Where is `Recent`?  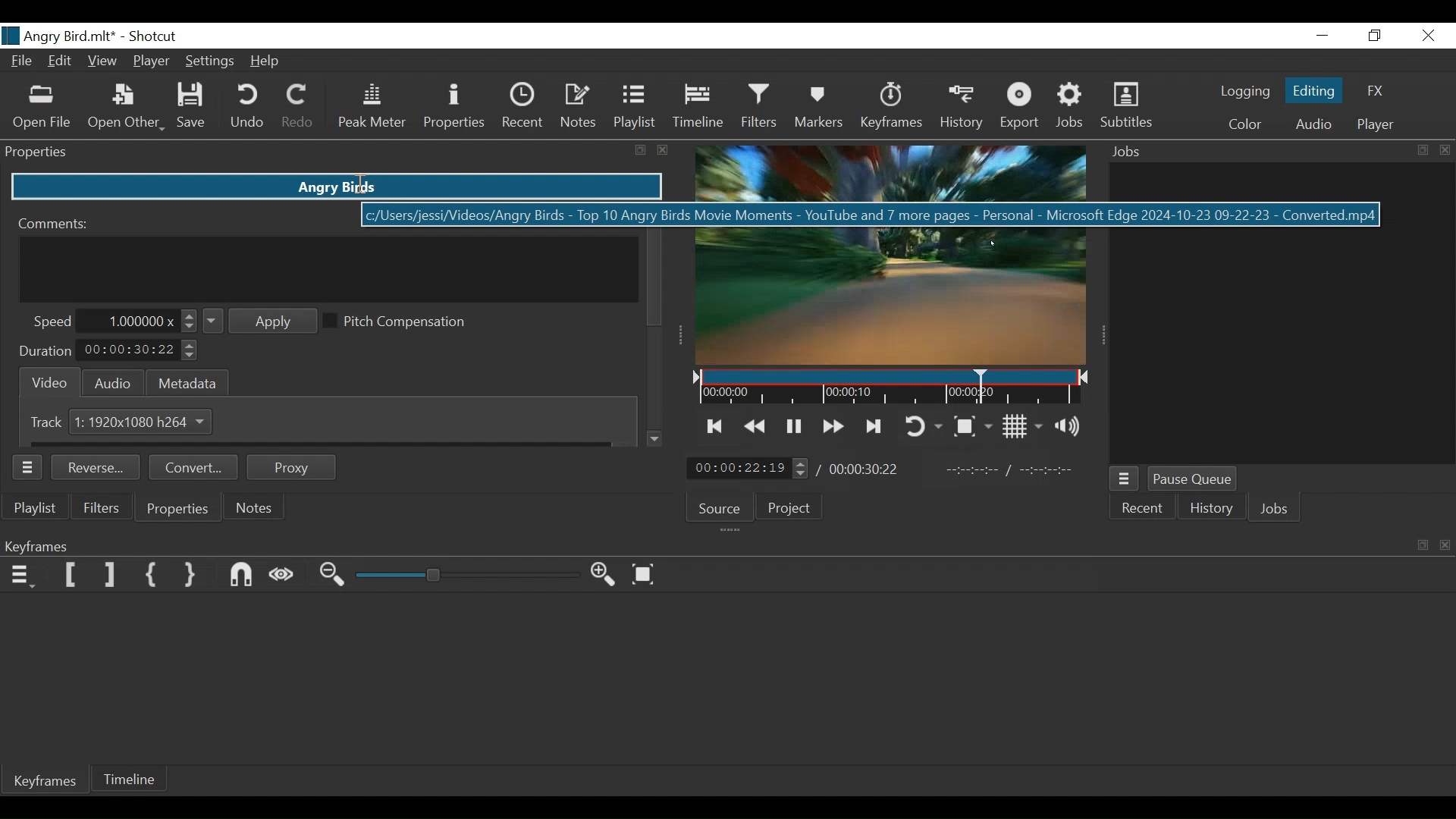
Recent is located at coordinates (524, 106).